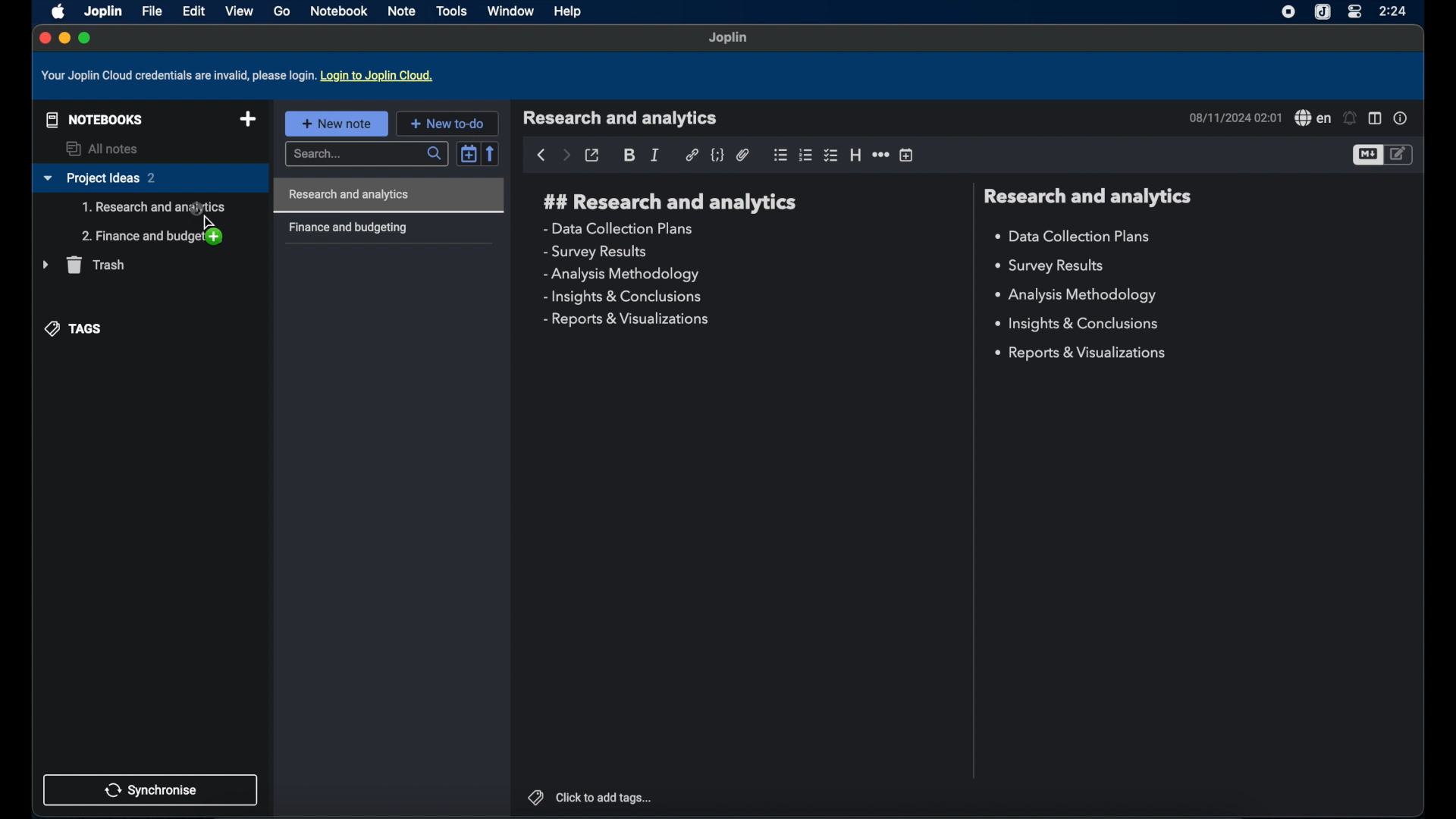 The width and height of the screenshot is (1456, 819). What do you see at coordinates (340, 11) in the screenshot?
I see `notebook` at bounding box center [340, 11].